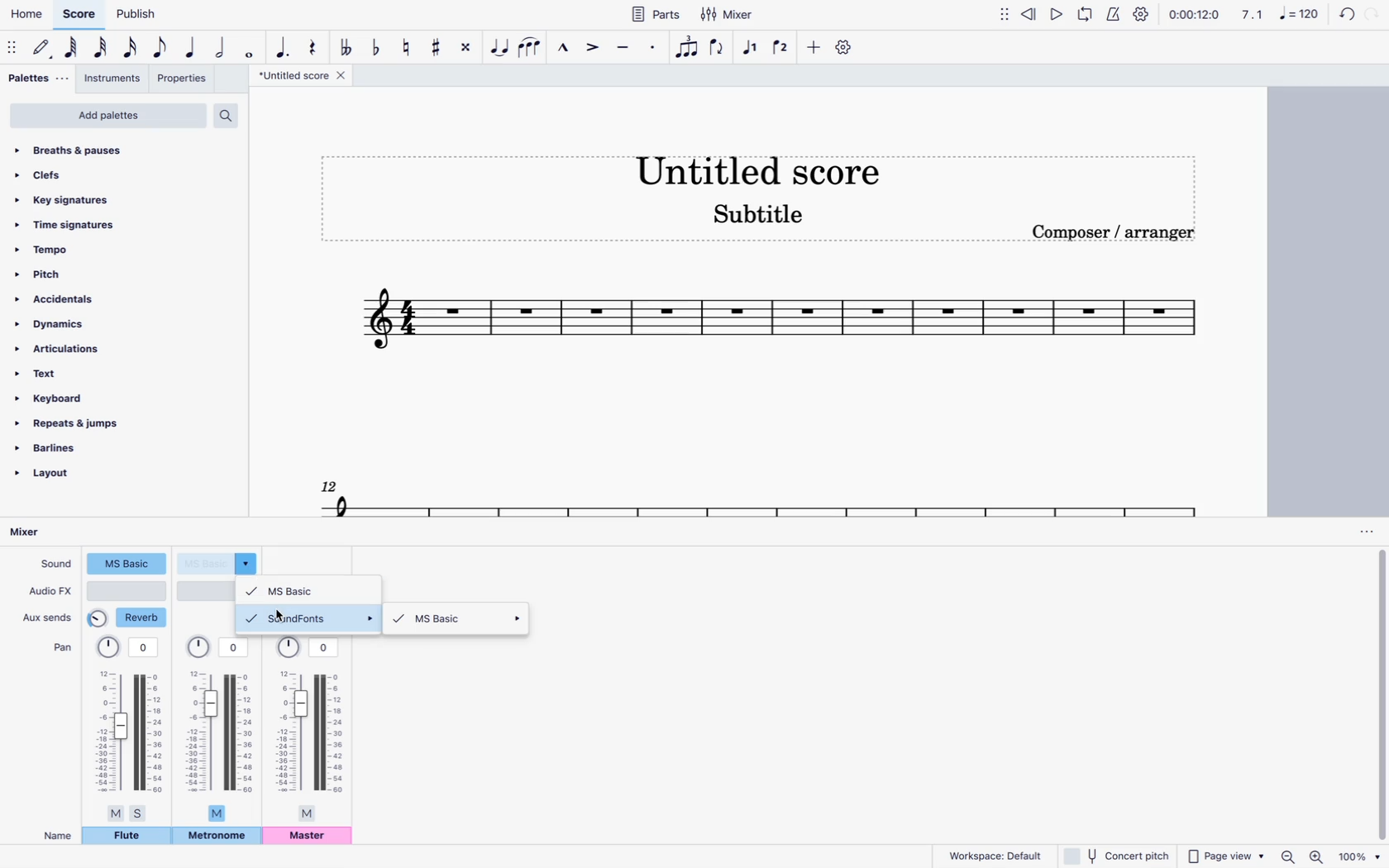 The image size is (1389, 868). Describe the element at coordinates (461, 621) in the screenshot. I see `ms basic` at that location.